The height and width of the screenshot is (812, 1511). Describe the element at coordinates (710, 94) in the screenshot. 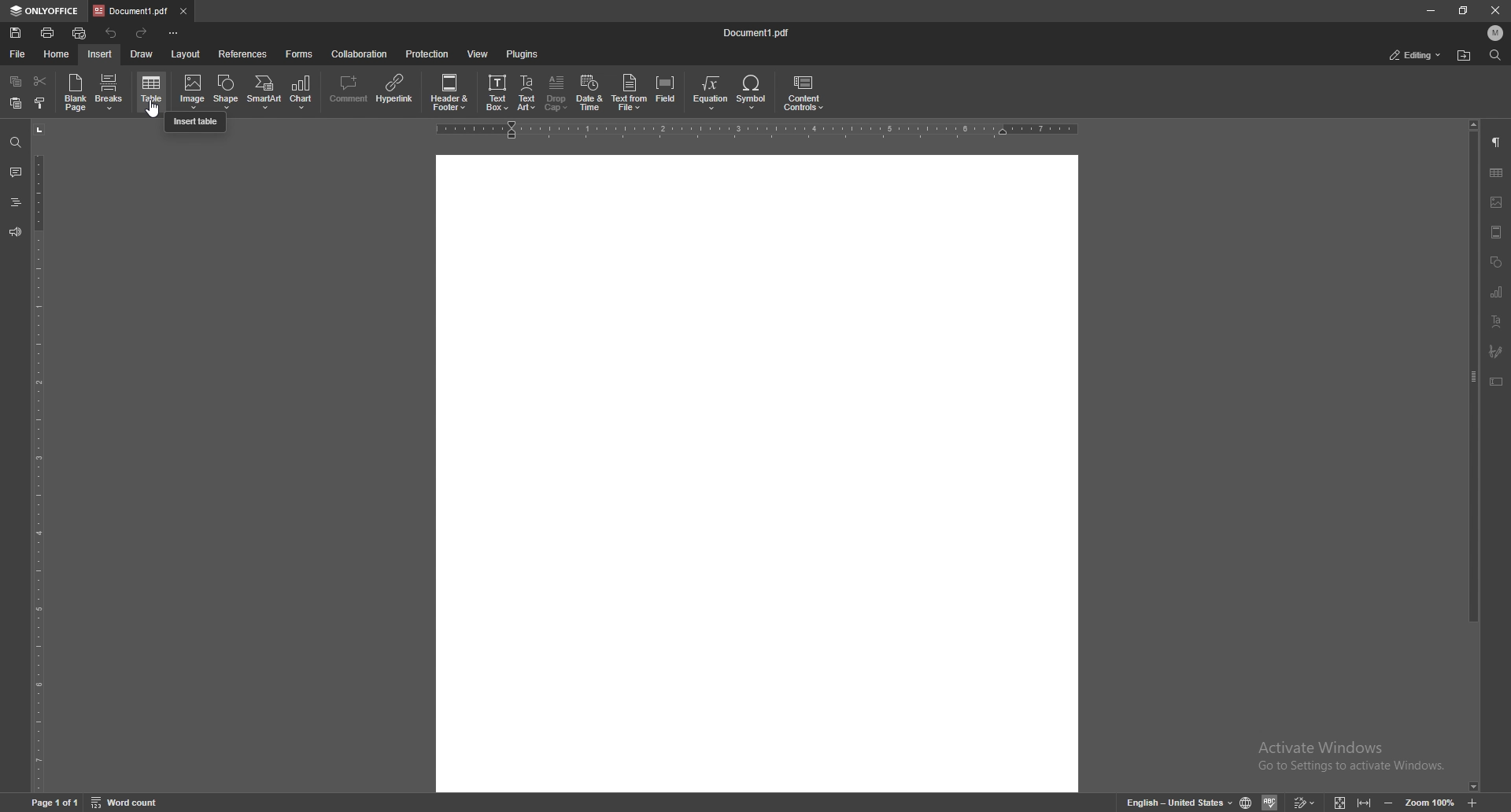

I see `equation` at that location.